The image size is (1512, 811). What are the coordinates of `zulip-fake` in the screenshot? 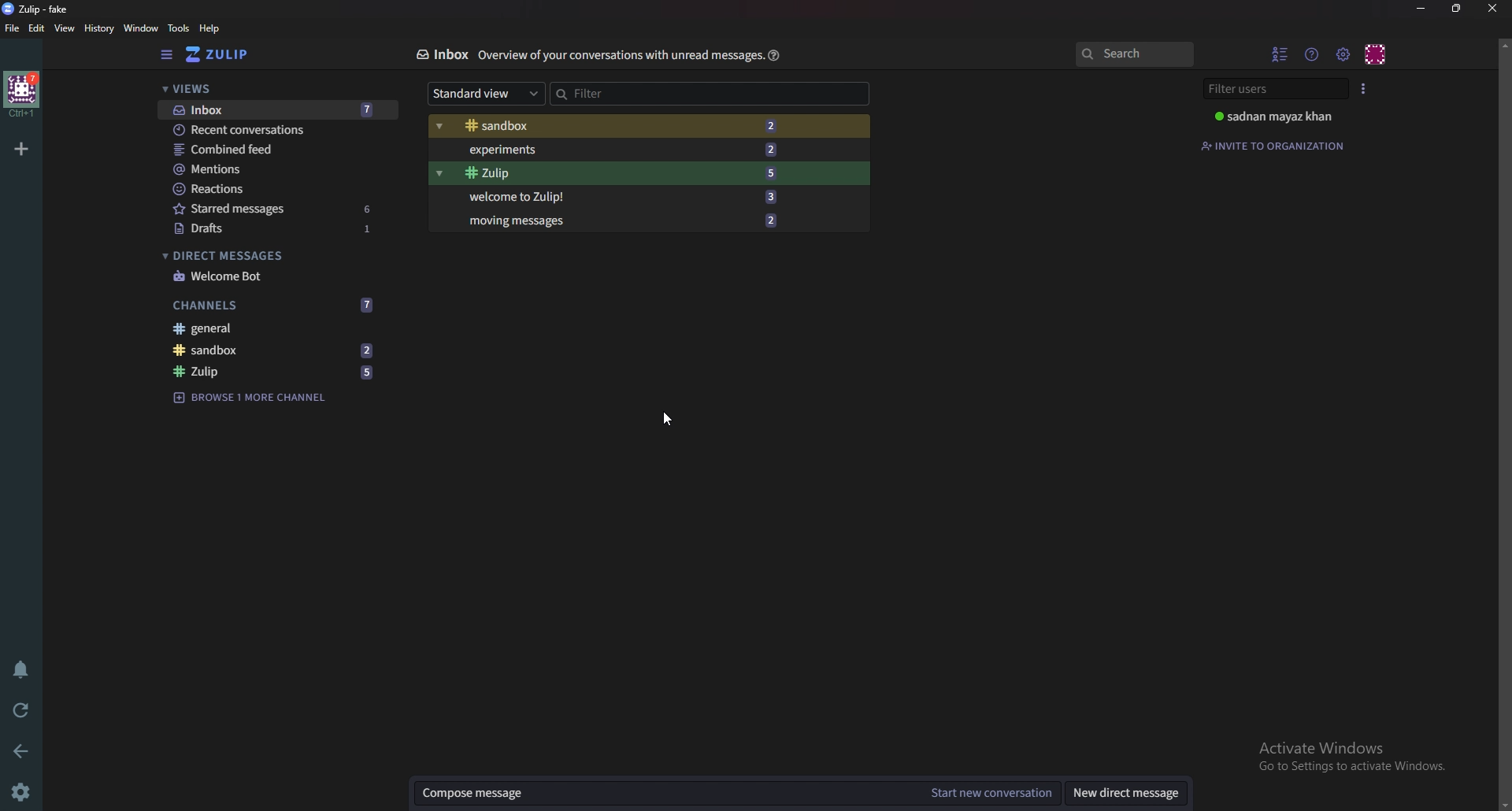 It's located at (39, 9).